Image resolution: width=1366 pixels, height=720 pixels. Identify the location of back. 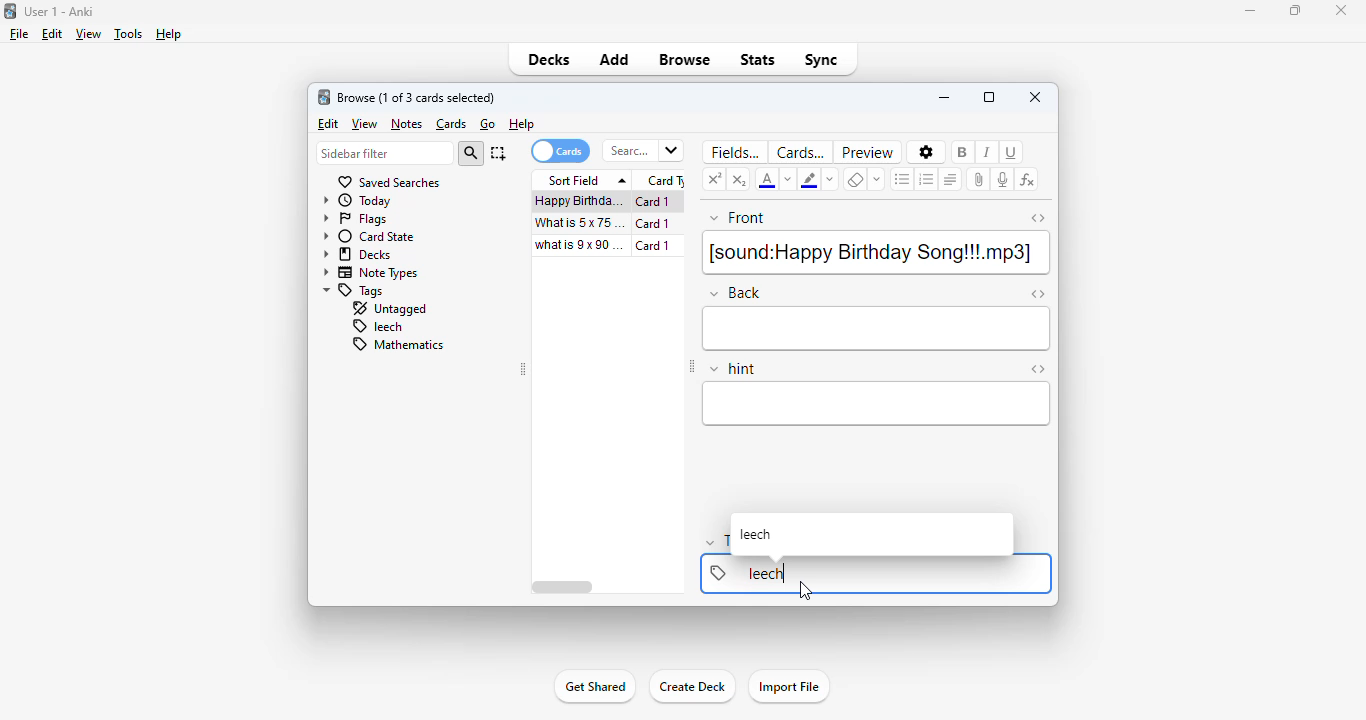
(734, 292).